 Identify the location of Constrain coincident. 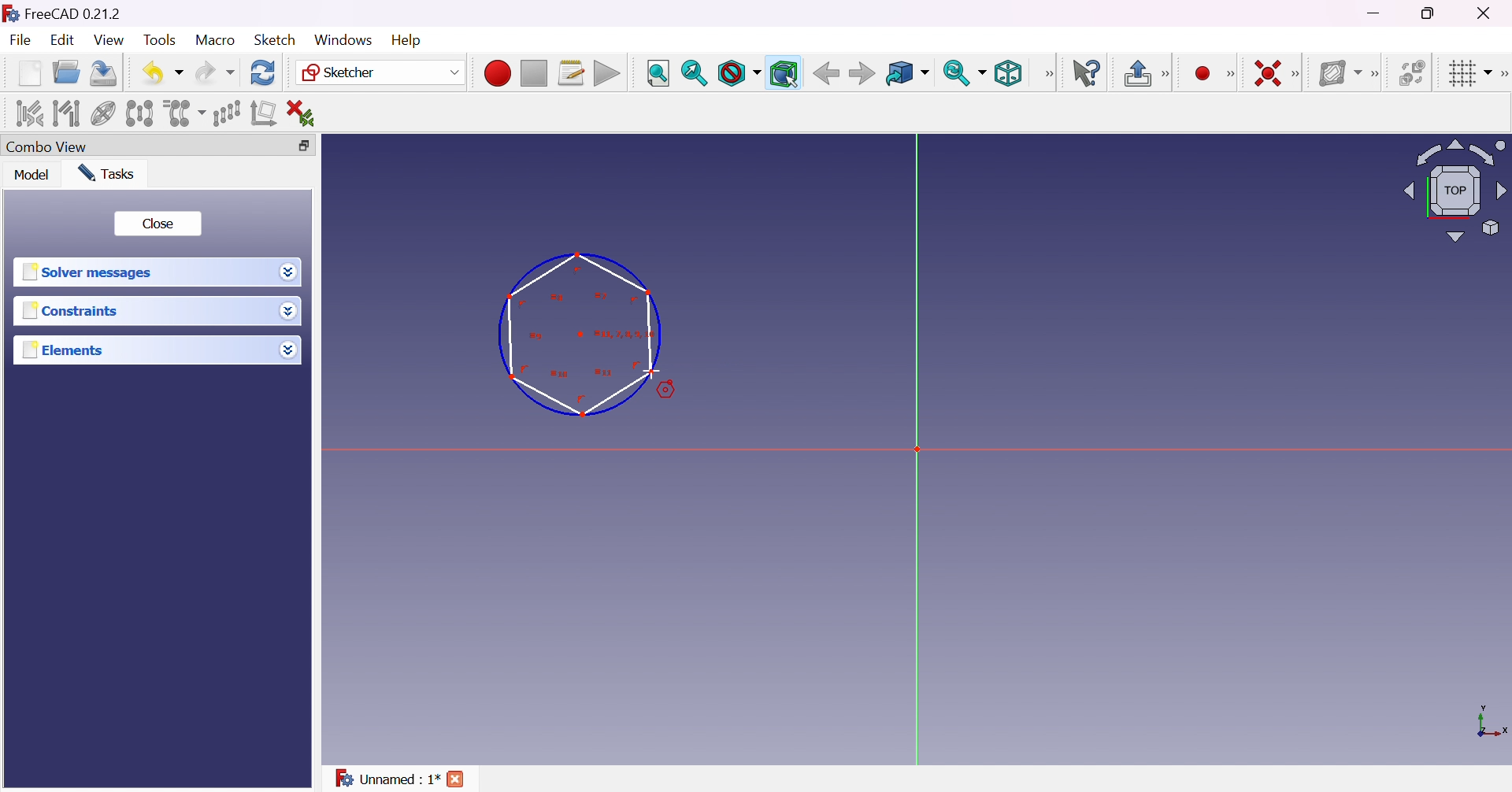
(1266, 73).